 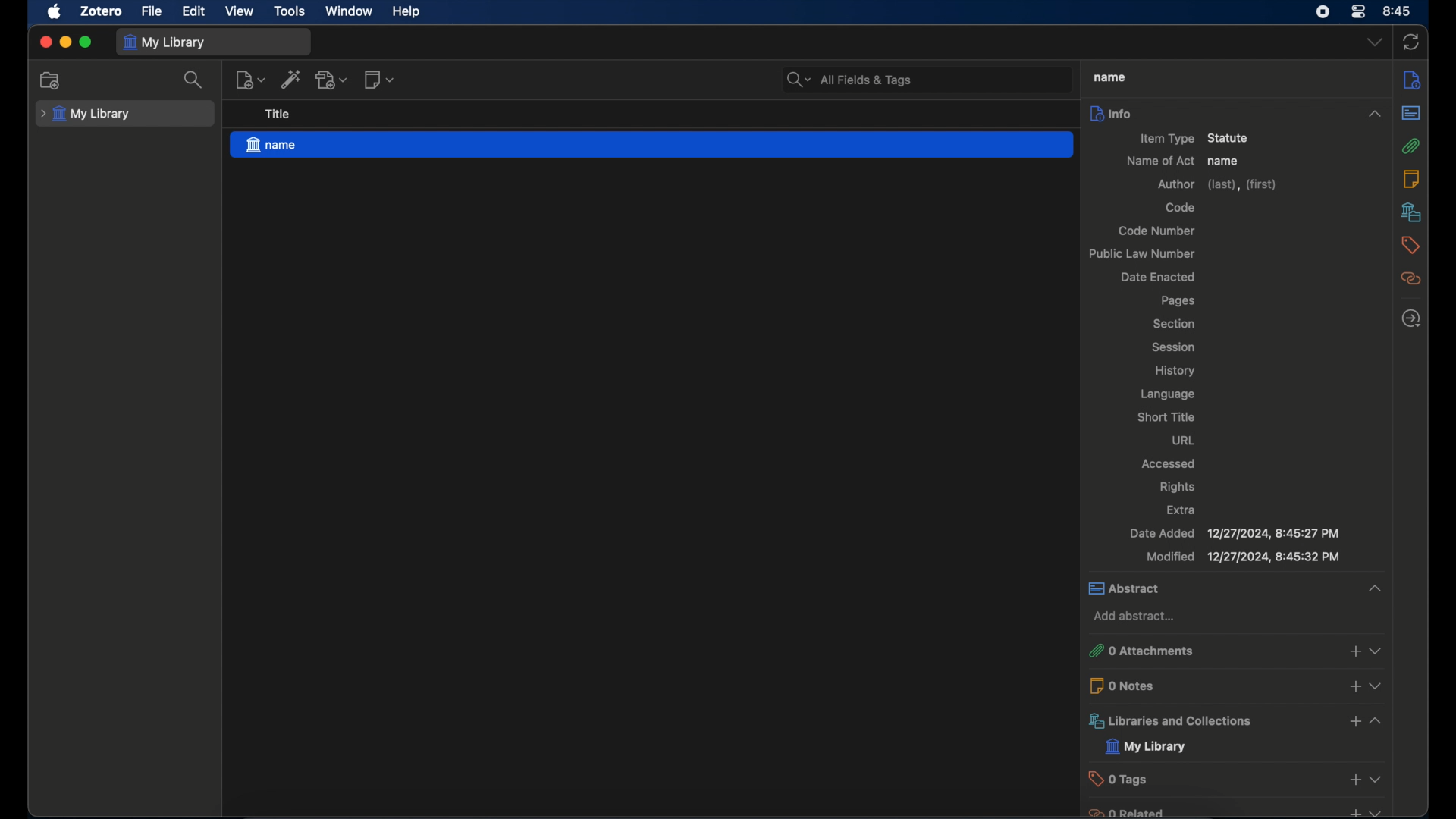 What do you see at coordinates (1170, 347) in the screenshot?
I see `session` at bounding box center [1170, 347].